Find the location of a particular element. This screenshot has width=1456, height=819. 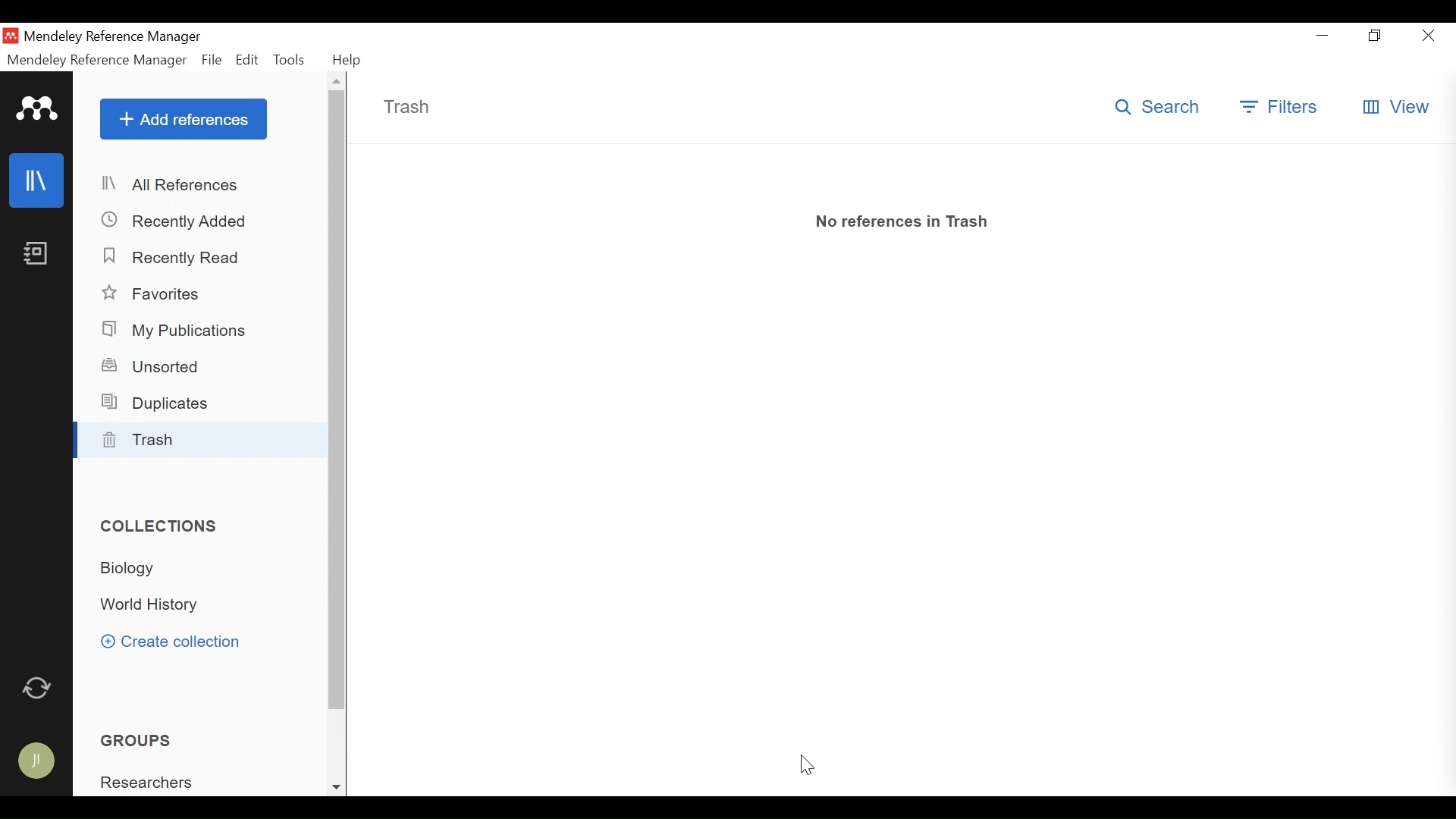

Recently Read is located at coordinates (172, 258).